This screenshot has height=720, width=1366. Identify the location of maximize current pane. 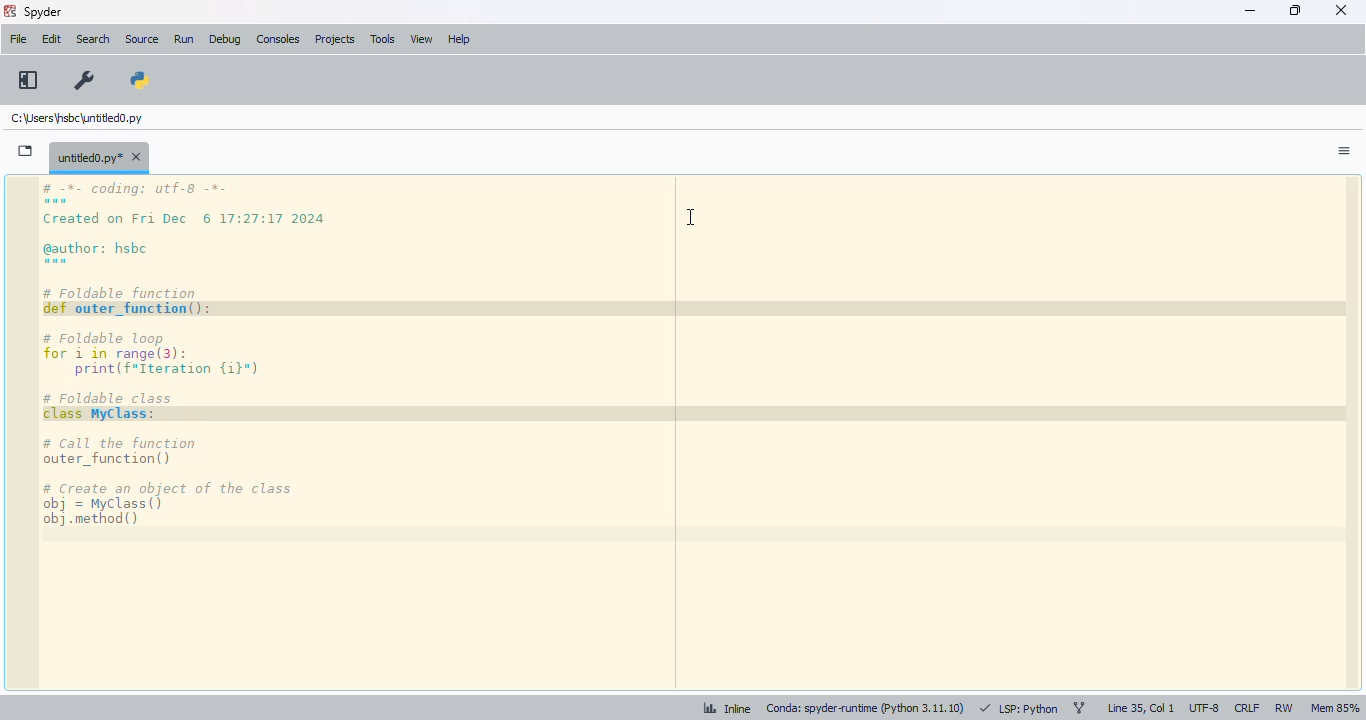
(27, 79).